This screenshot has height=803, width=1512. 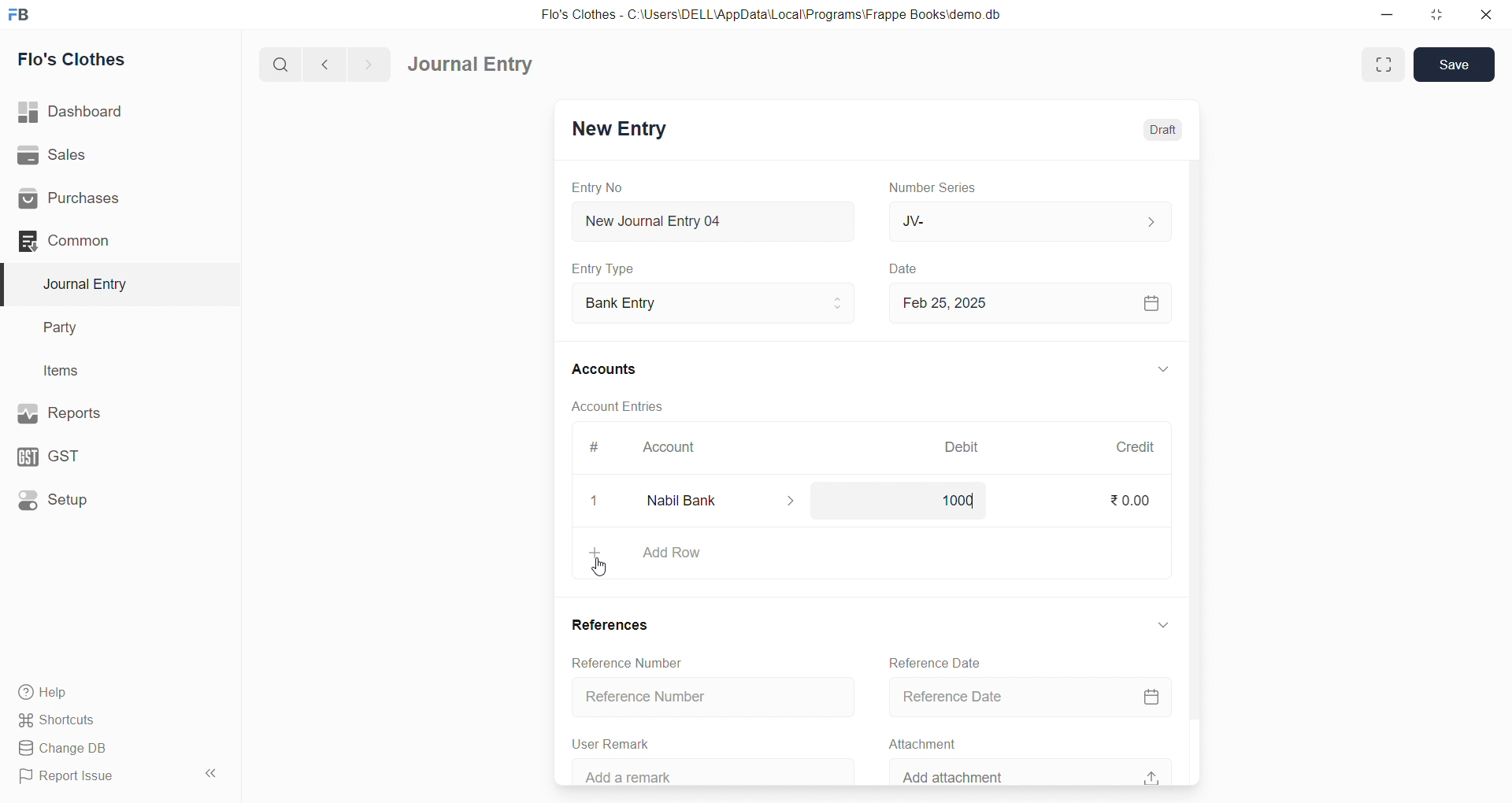 What do you see at coordinates (476, 65) in the screenshot?
I see `Journal Entry` at bounding box center [476, 65].